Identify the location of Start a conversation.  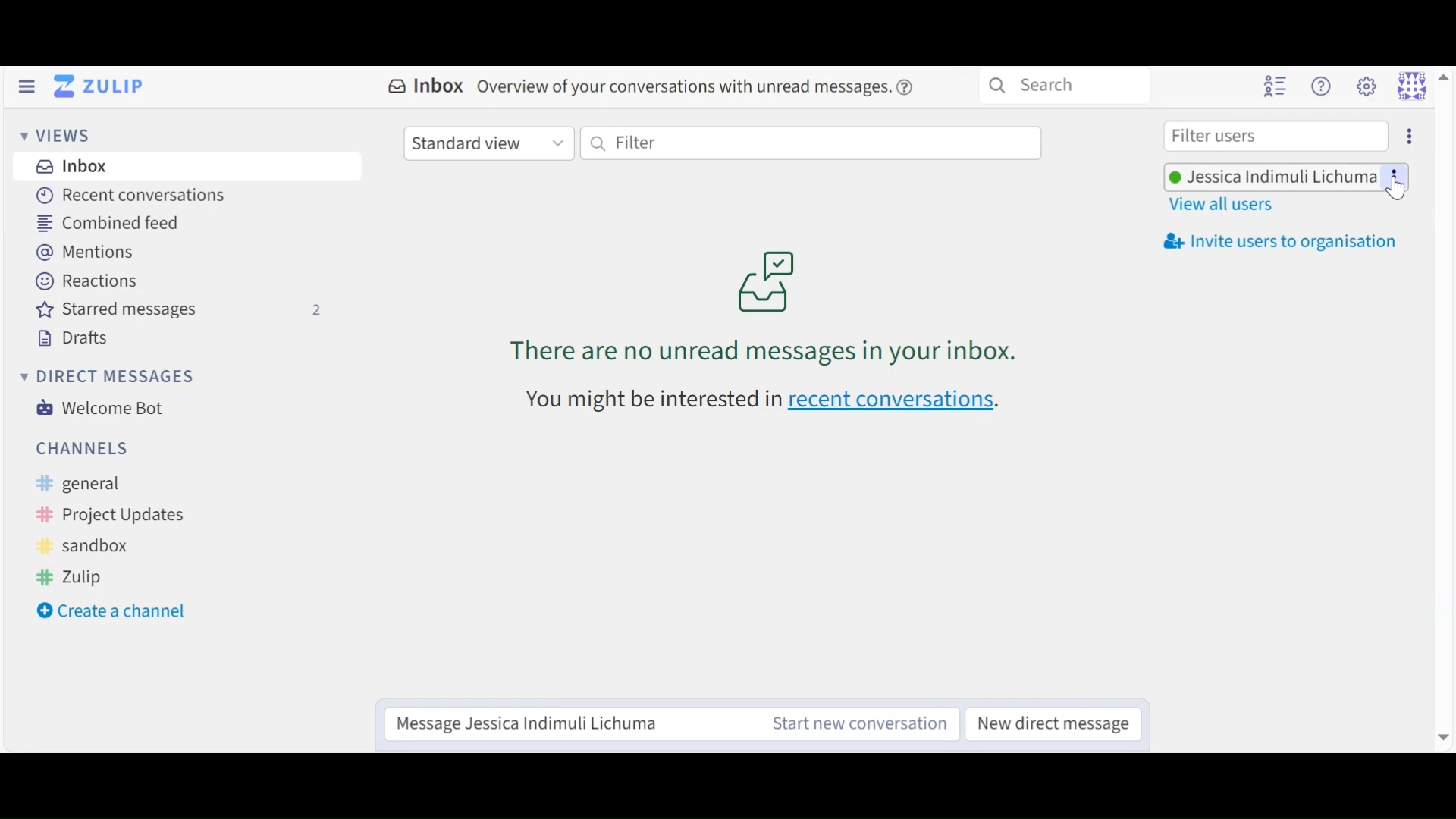
(853, 723).